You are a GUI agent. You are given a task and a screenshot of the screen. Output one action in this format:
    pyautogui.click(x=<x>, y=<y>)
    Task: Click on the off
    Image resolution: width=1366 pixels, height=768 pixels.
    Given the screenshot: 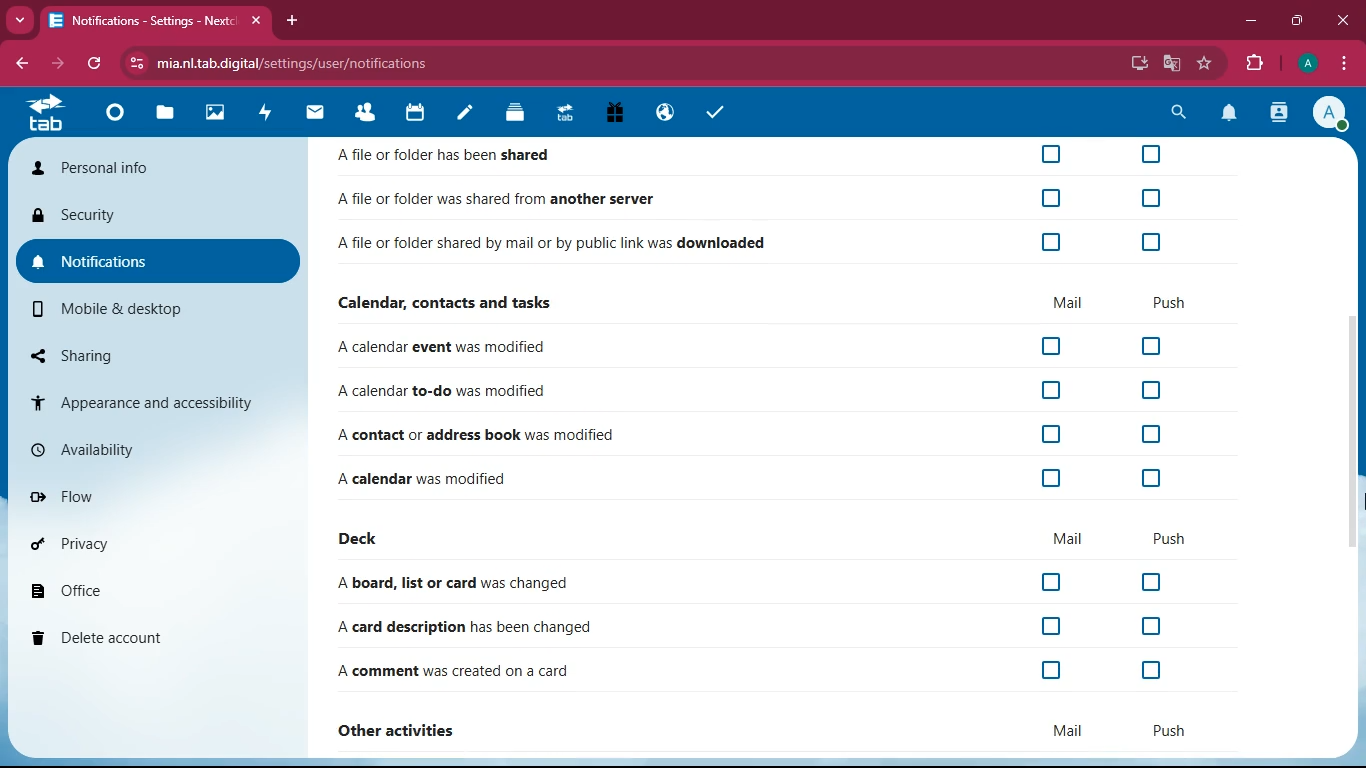 What is the action you would take?
    pyautogui.click(x=1153, y=197)
    